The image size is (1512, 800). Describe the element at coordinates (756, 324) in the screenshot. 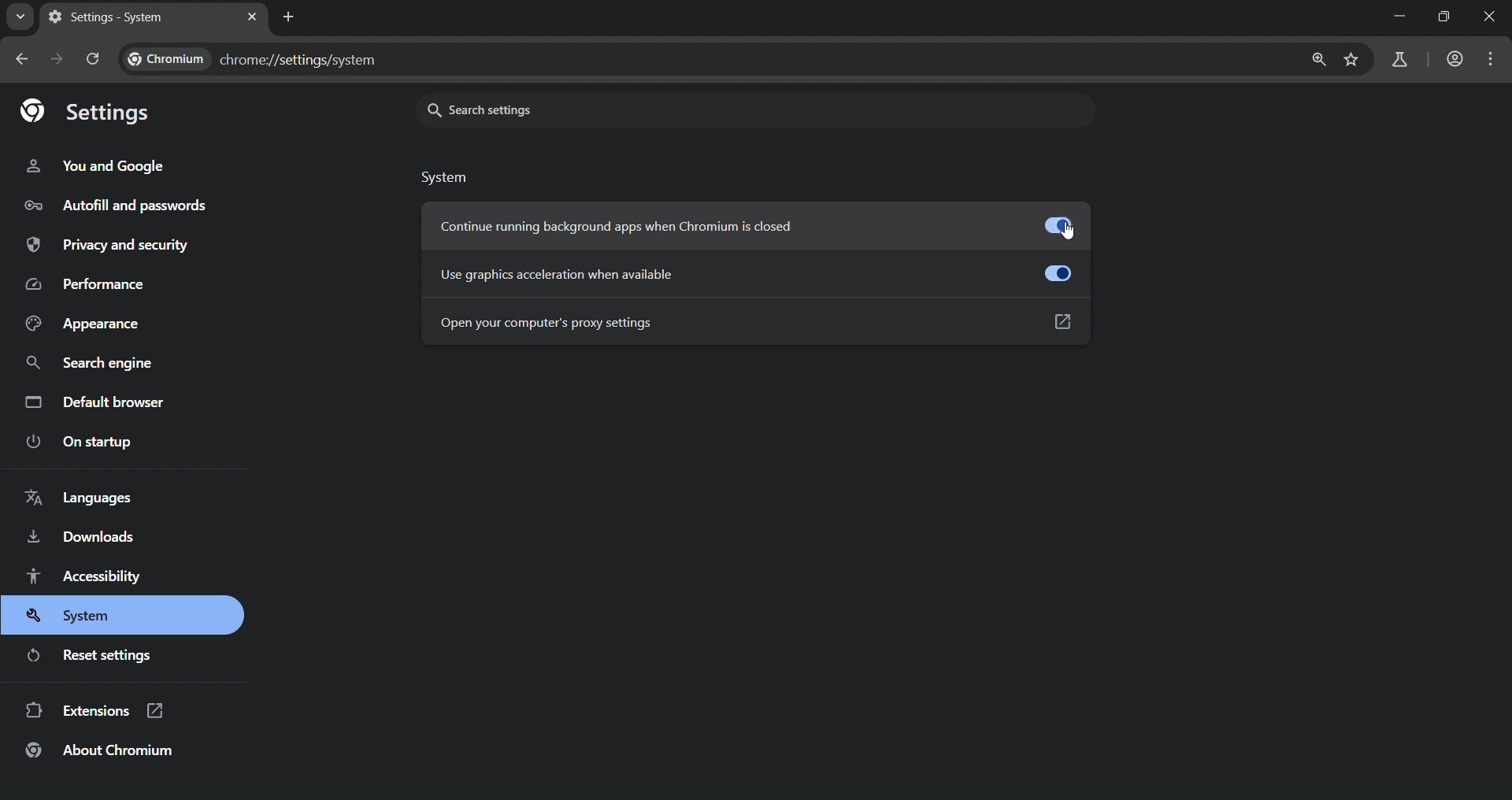

I see `open your computer's proxy settings` at that location.